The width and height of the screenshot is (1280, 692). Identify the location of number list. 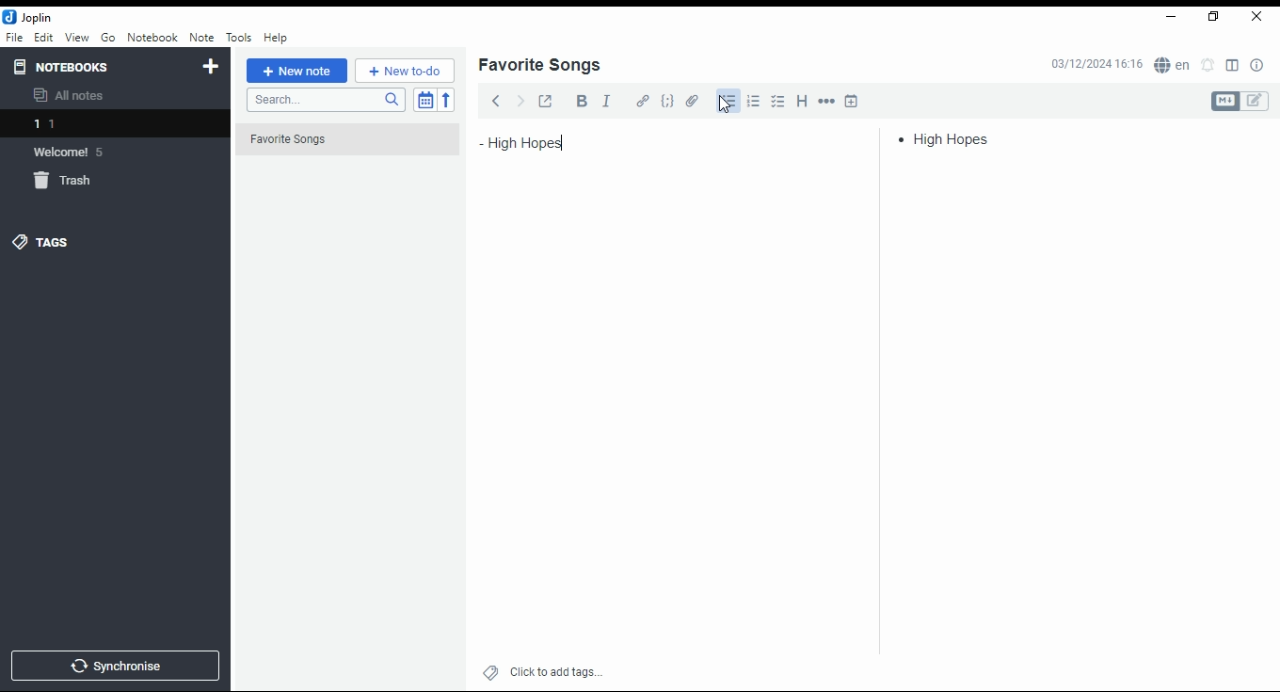
(754, 100).